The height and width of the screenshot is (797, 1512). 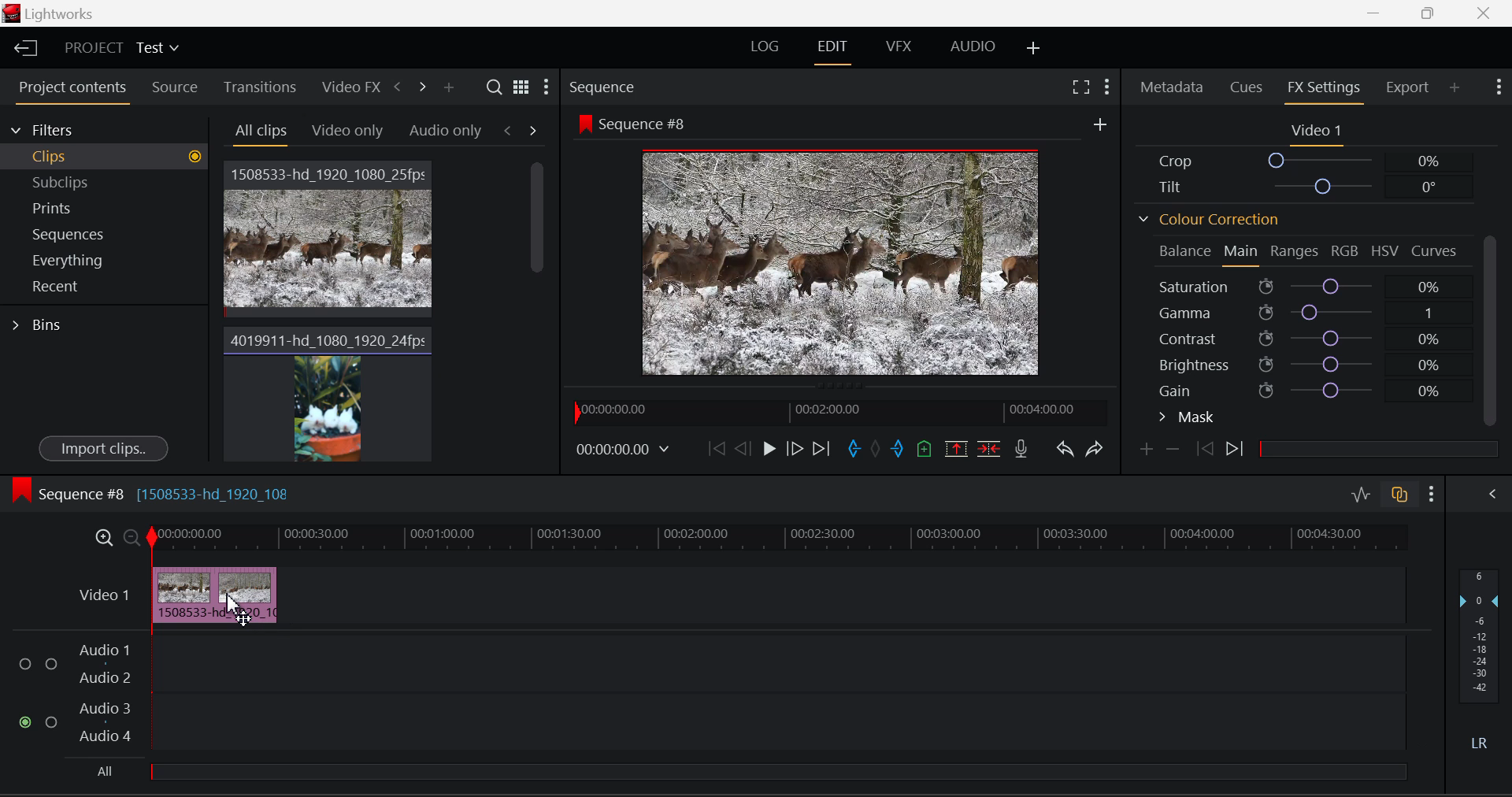 I want to click on Add Panel, so click(x=1456, y=89).